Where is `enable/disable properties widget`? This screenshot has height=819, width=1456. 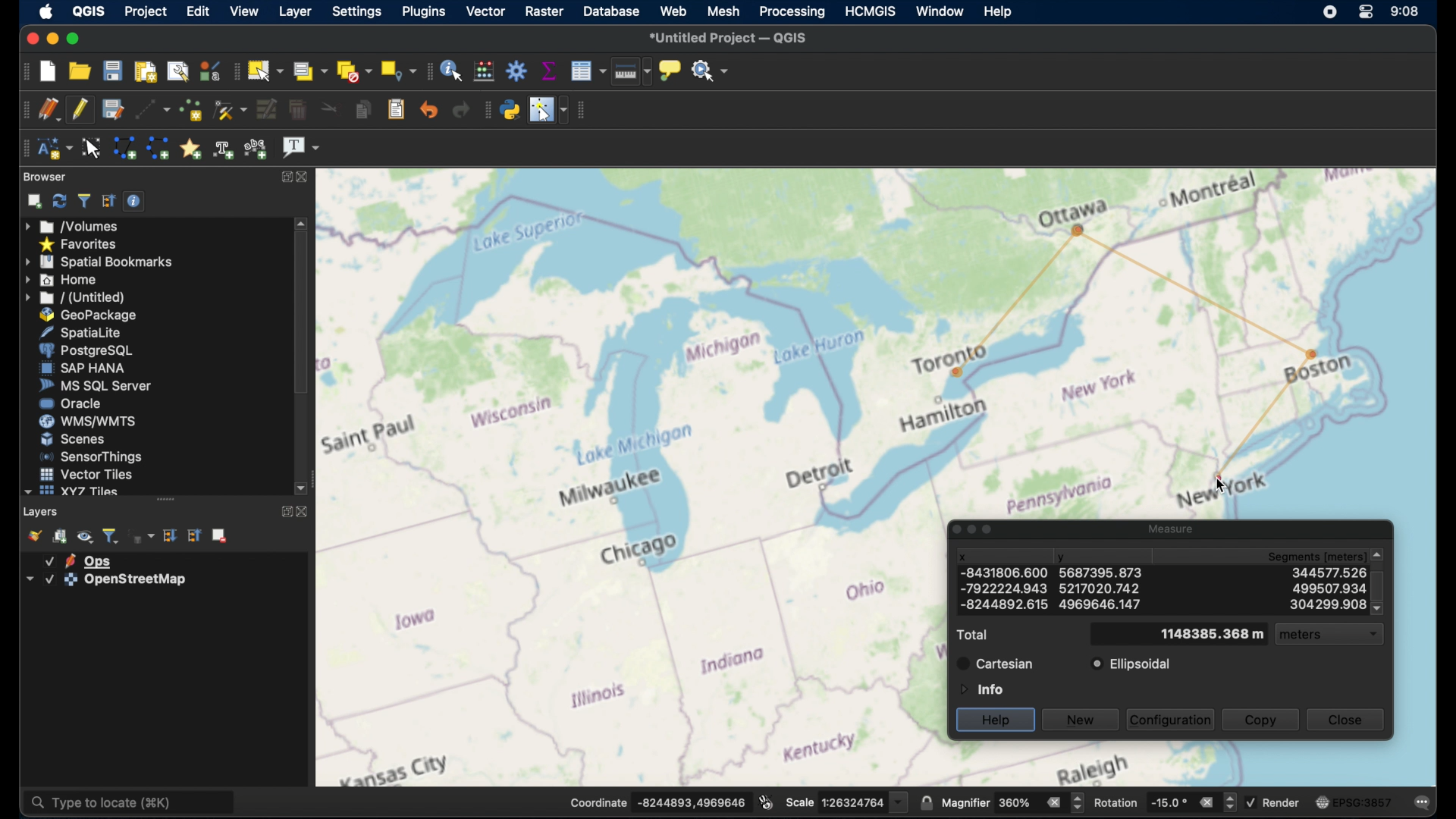
enable/disable properties widget is located at coordinates (134, 200).